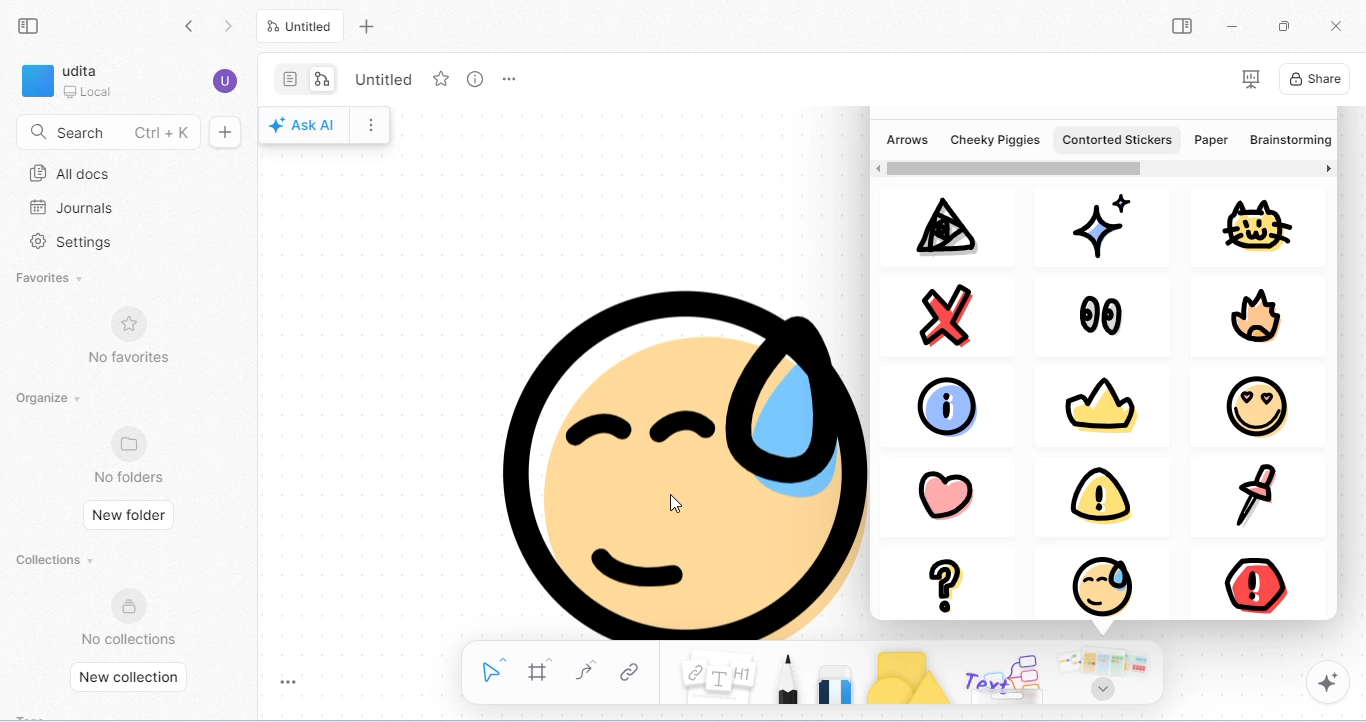 This screenshot has width=1366, height=722. Describe the element at coordinates (1100, 225) in the screenshot. I see `AI` at that location.